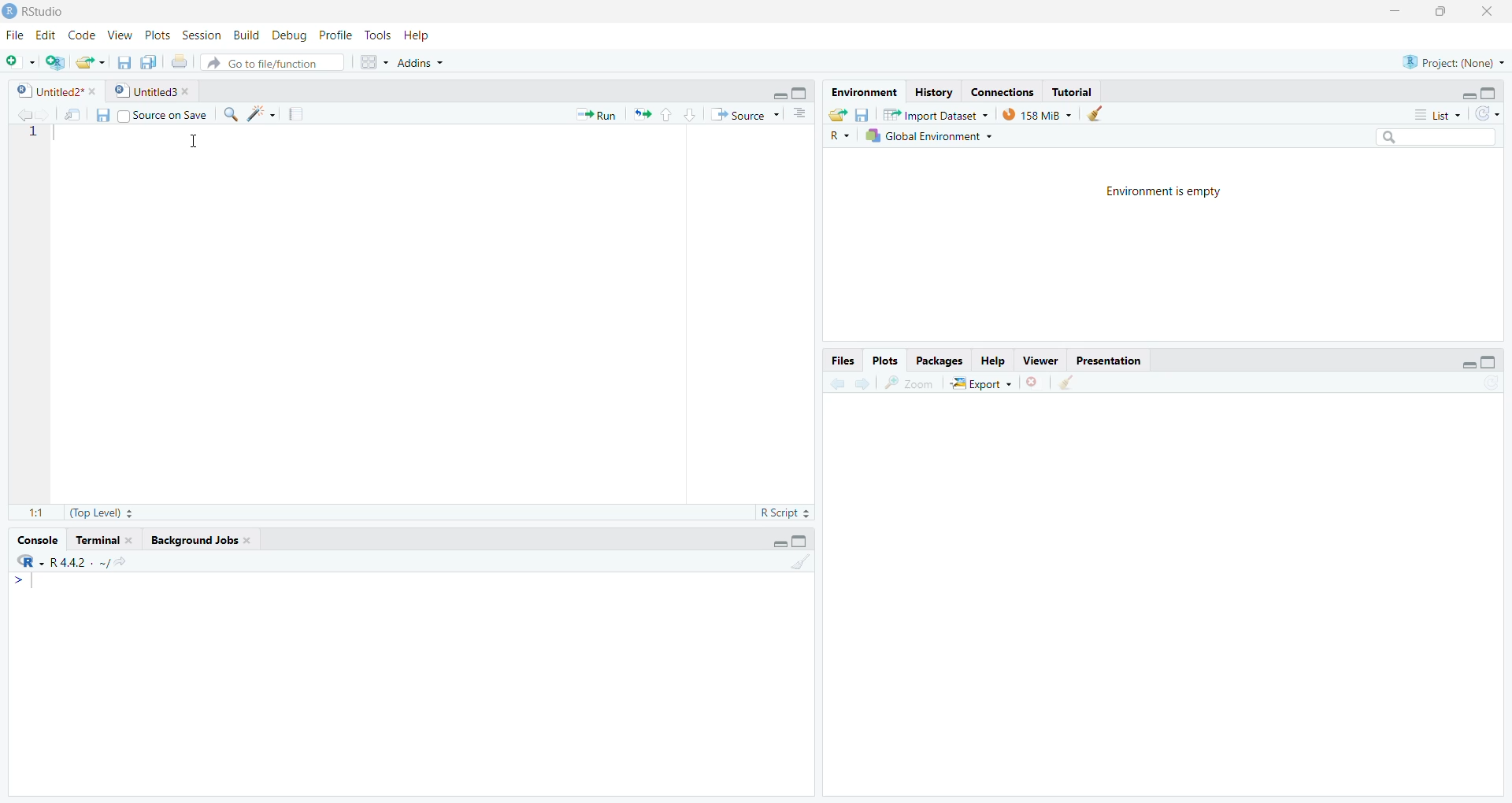 This screenshot has height=803, width=1512. What do you see at coordinates (1443, 12) in the screenshot?
I see `maximize` at bounding box center [1443, 12].